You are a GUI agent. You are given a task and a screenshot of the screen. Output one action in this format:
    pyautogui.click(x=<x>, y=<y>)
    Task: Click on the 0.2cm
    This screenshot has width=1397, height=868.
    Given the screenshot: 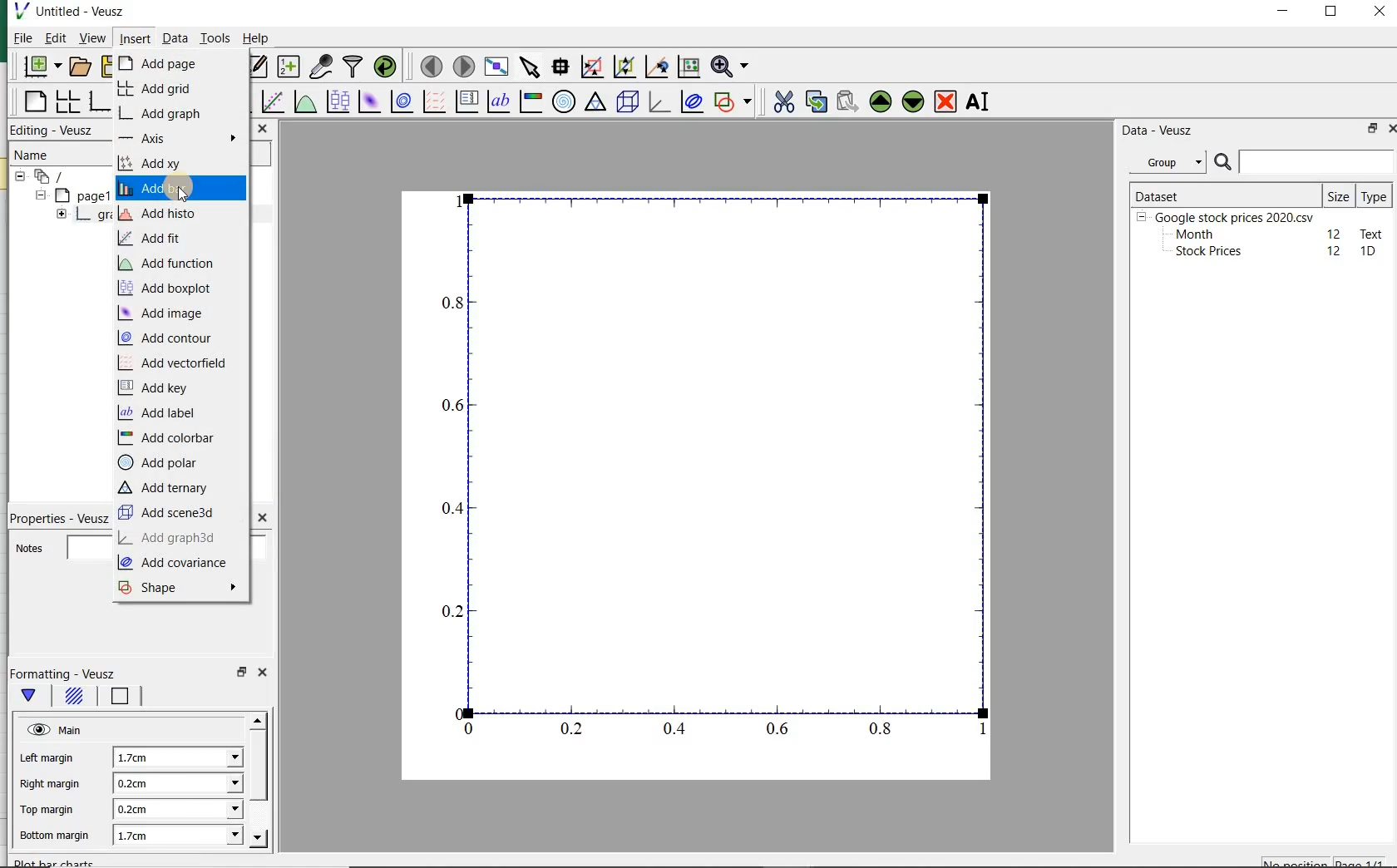 What is the action you would take?
    pyautogui.click(x=175, y=810)
    